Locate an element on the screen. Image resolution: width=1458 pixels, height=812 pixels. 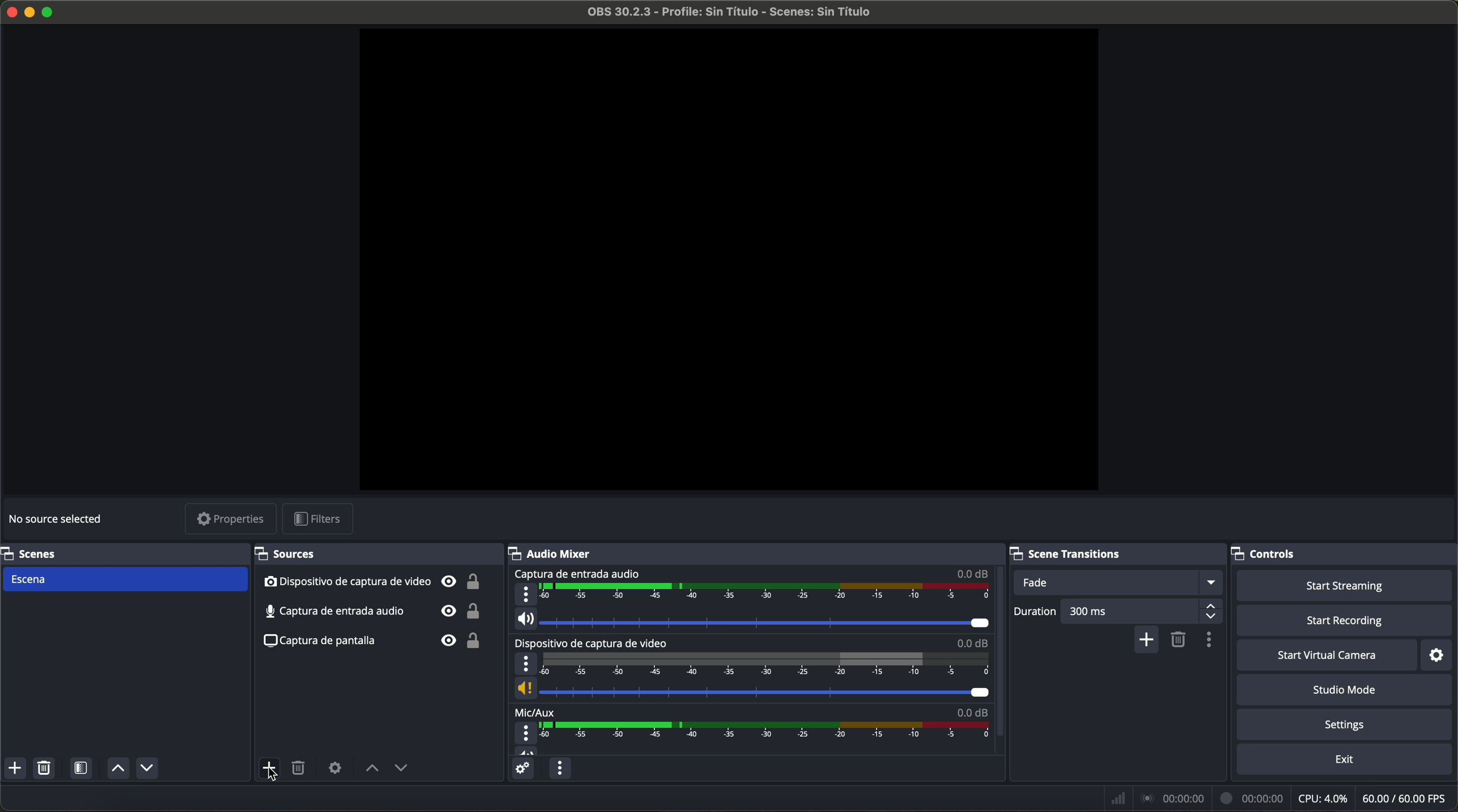
open scene filters is located at coordinates (83, 769).